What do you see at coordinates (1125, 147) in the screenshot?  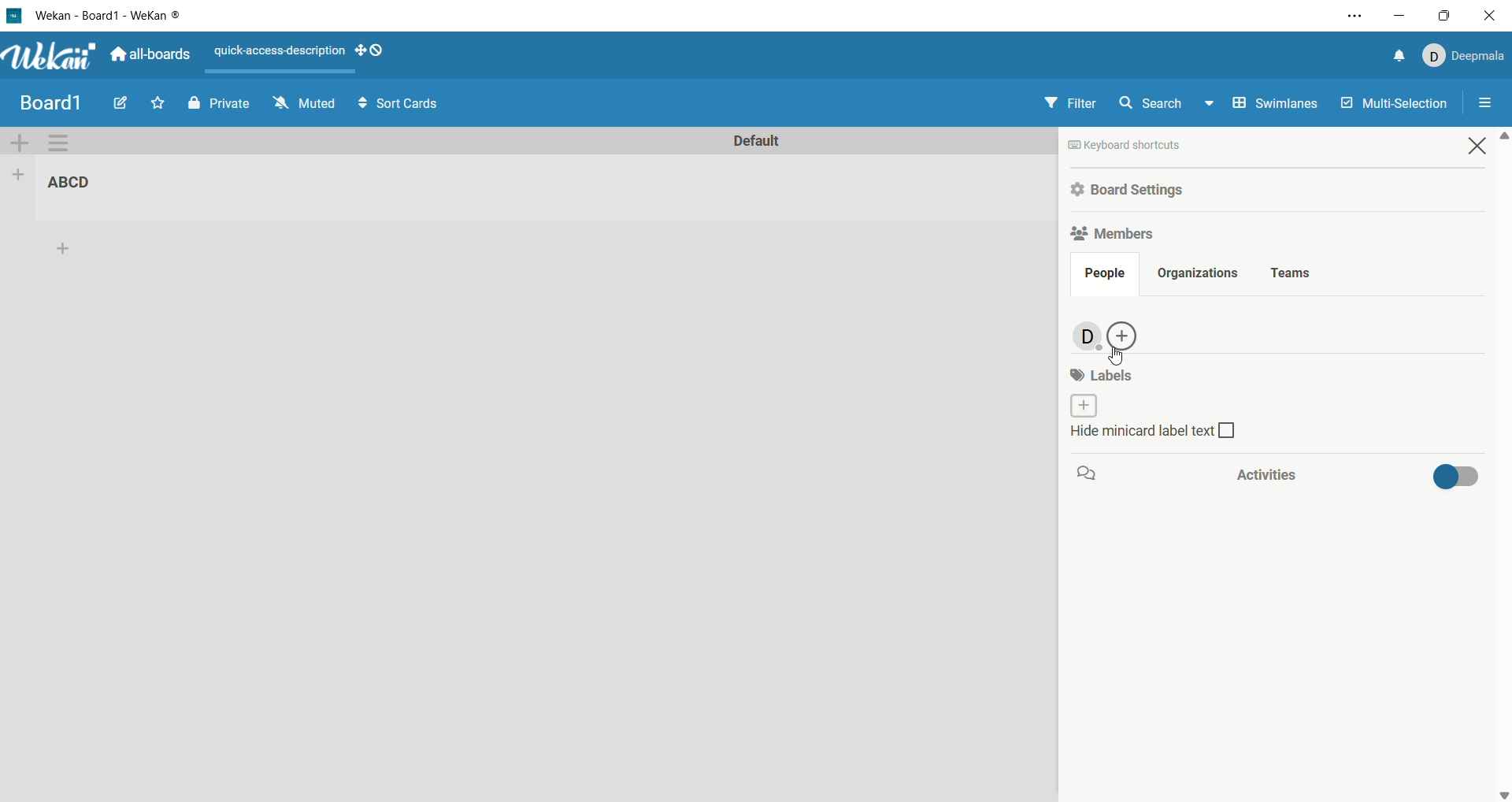 I see `keyboard shortcut` at bounding box center [1125, 147].